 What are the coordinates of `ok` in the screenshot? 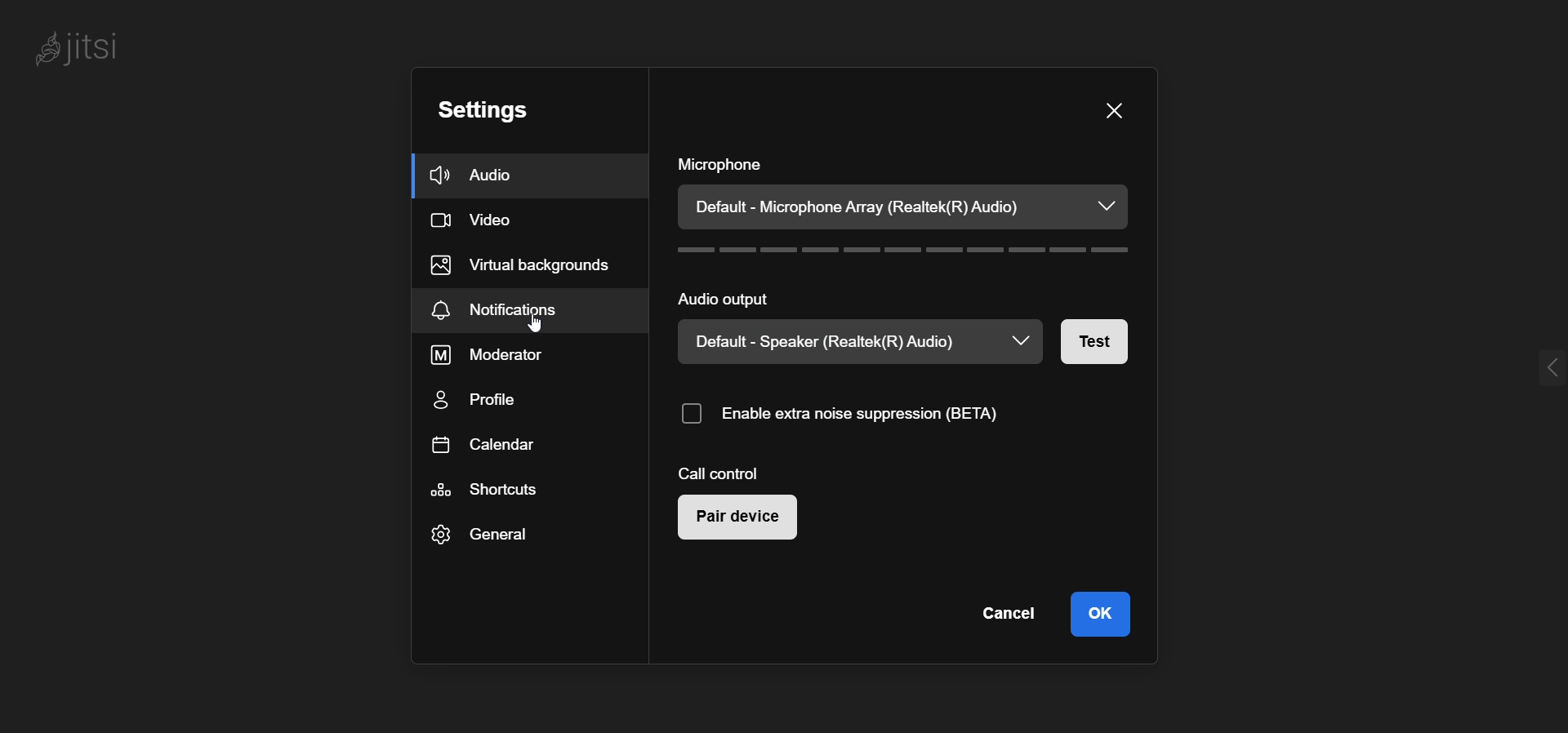 It's located at (1107, 616).